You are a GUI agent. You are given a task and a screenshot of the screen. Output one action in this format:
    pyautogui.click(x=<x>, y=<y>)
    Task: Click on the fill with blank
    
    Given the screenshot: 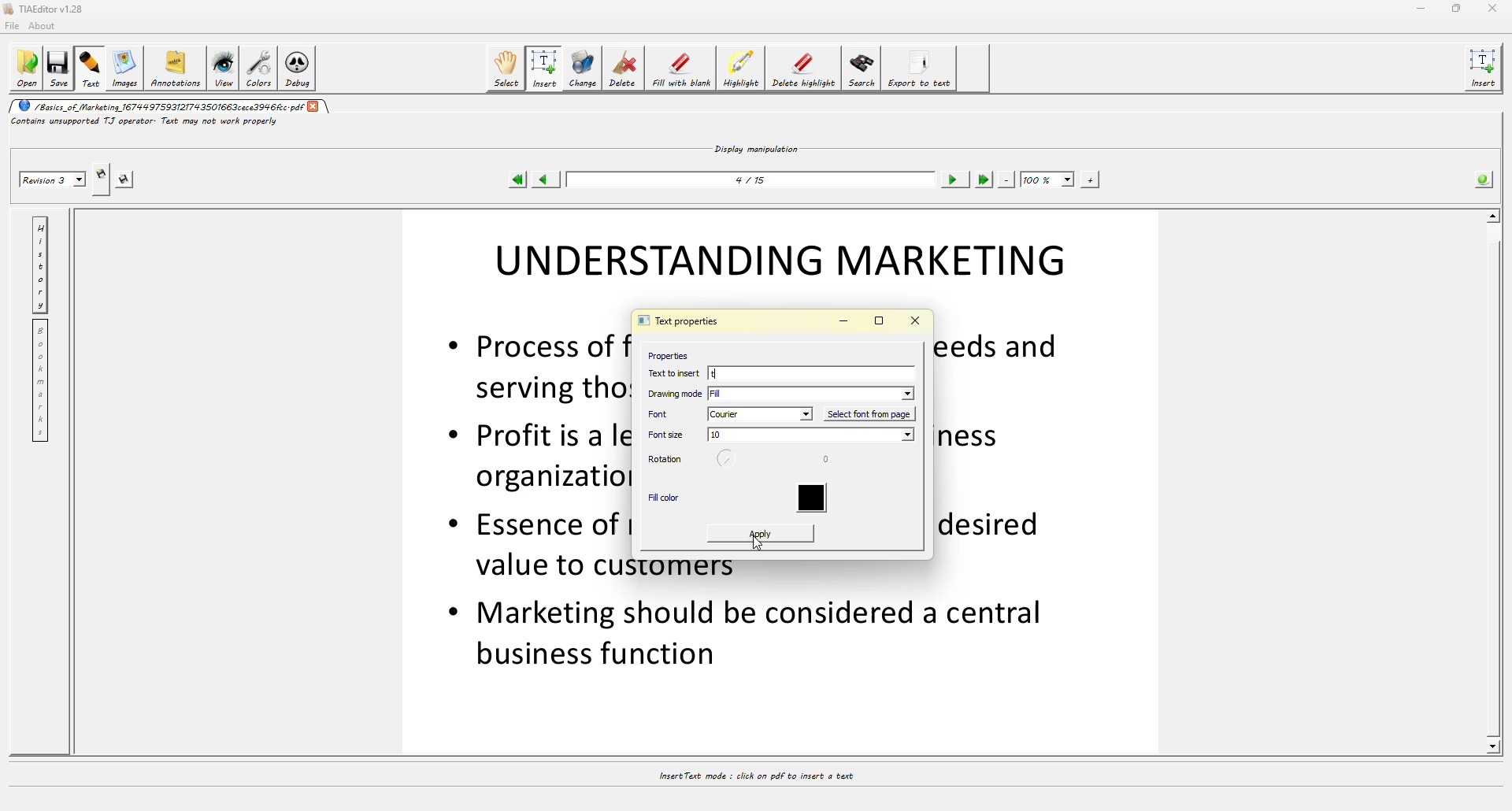 What is the action you would take?
    pyautogui.click(x=682, y=68)
    